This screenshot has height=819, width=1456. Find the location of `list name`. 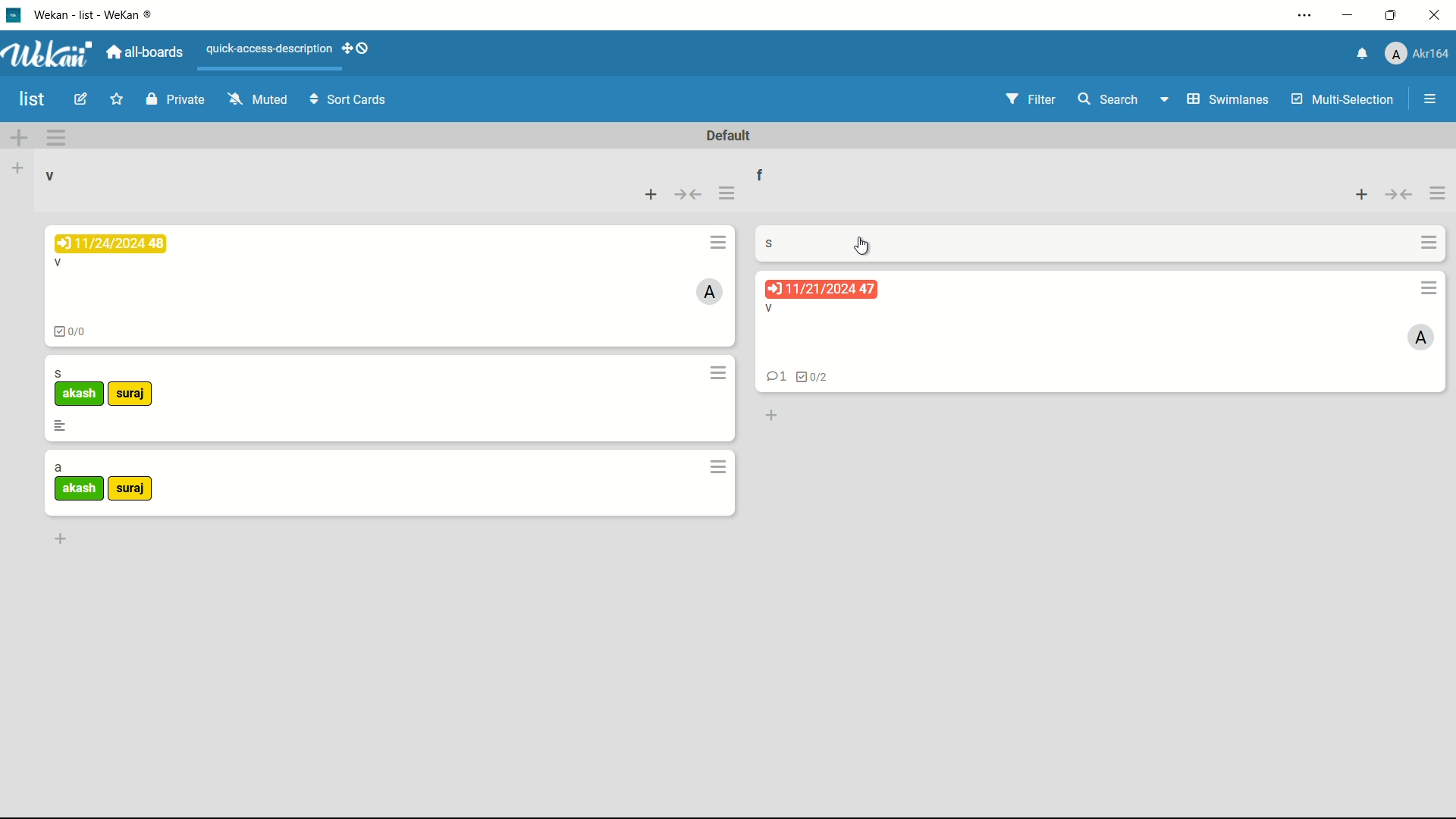

list name is located at coordinates (761, 174).